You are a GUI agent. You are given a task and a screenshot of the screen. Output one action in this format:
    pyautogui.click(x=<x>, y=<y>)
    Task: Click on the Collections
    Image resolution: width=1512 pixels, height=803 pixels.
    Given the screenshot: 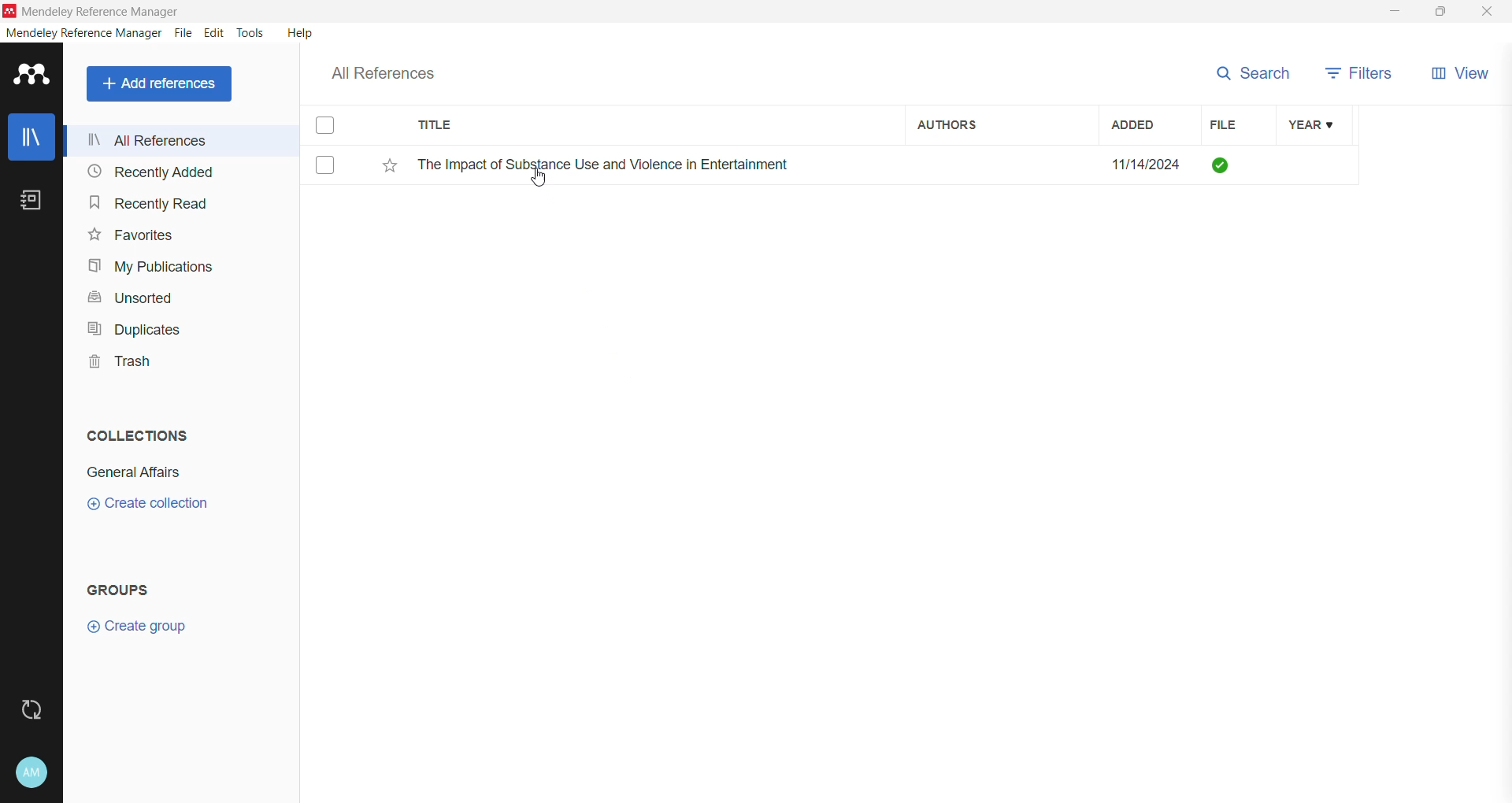 What is the action you would take?
    pyautogui.click(x=133, y=432)
    